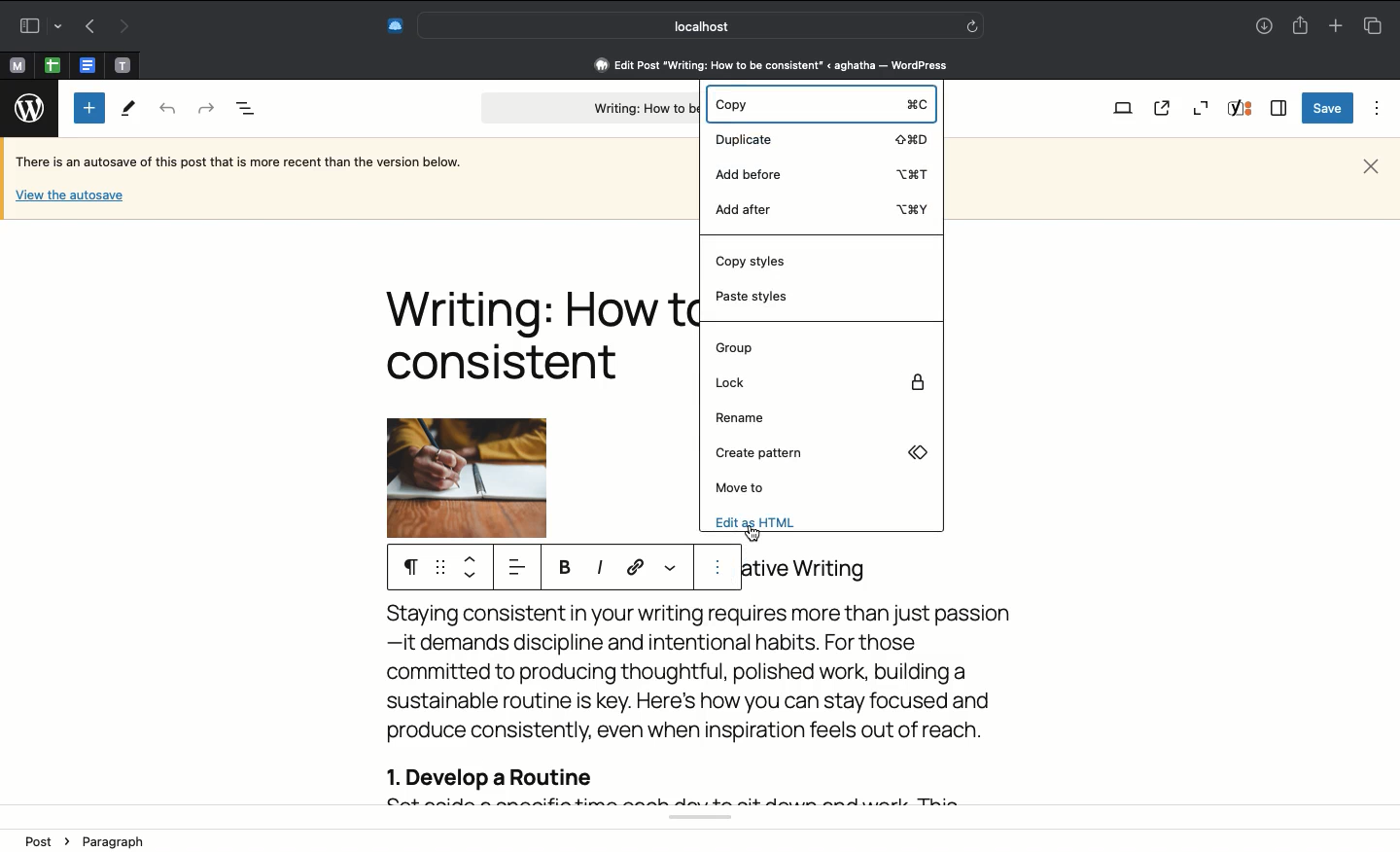 This screenshot has width=1400, height=852. Describe the element at coordinates (254, 163) in the screenshot. I see `Autosave` at that location.